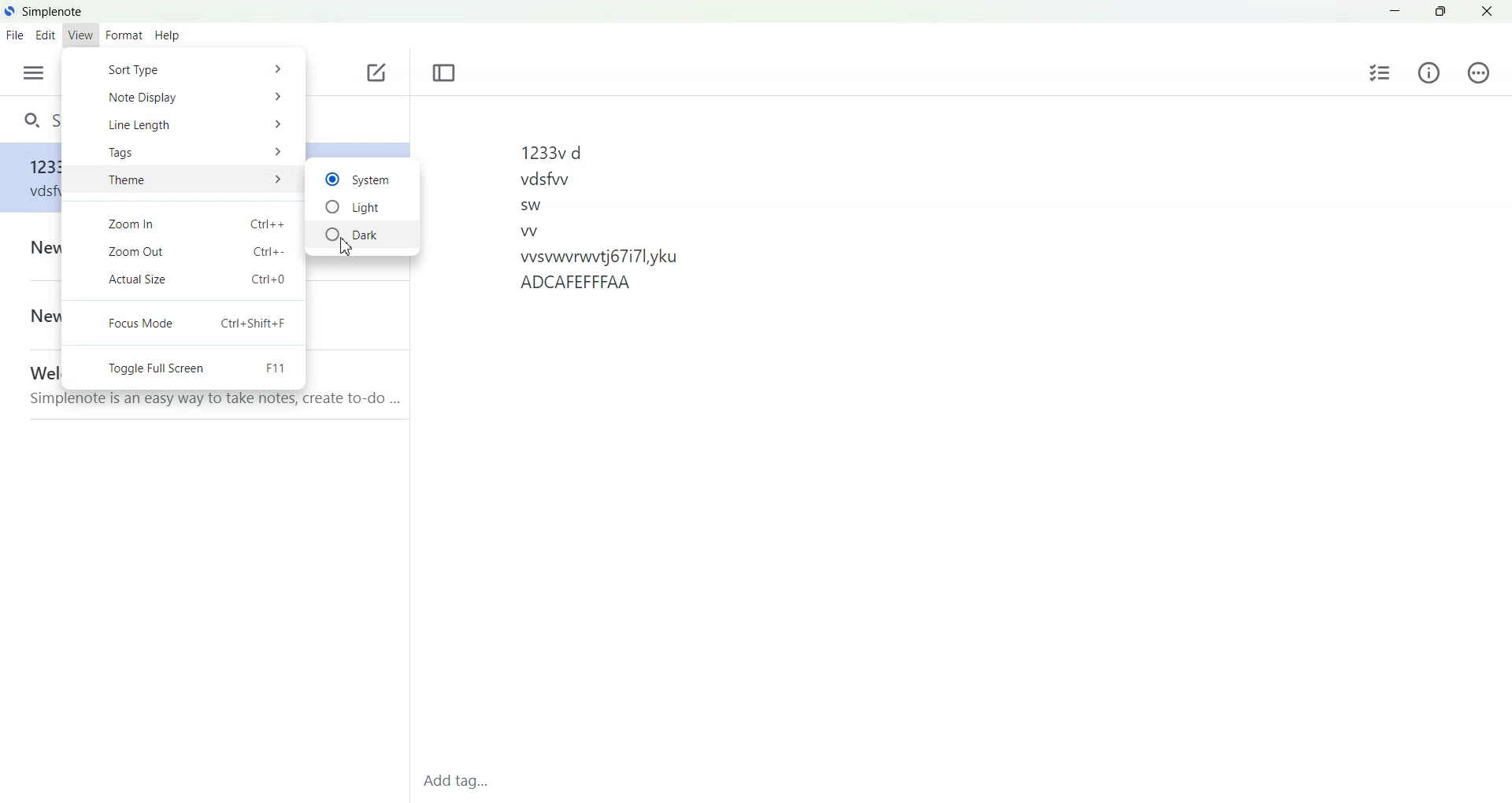  What do you see at coordinates (183, 368) in the screenshot?
I see `Toggle full screen` at bounding box center [183, 368].